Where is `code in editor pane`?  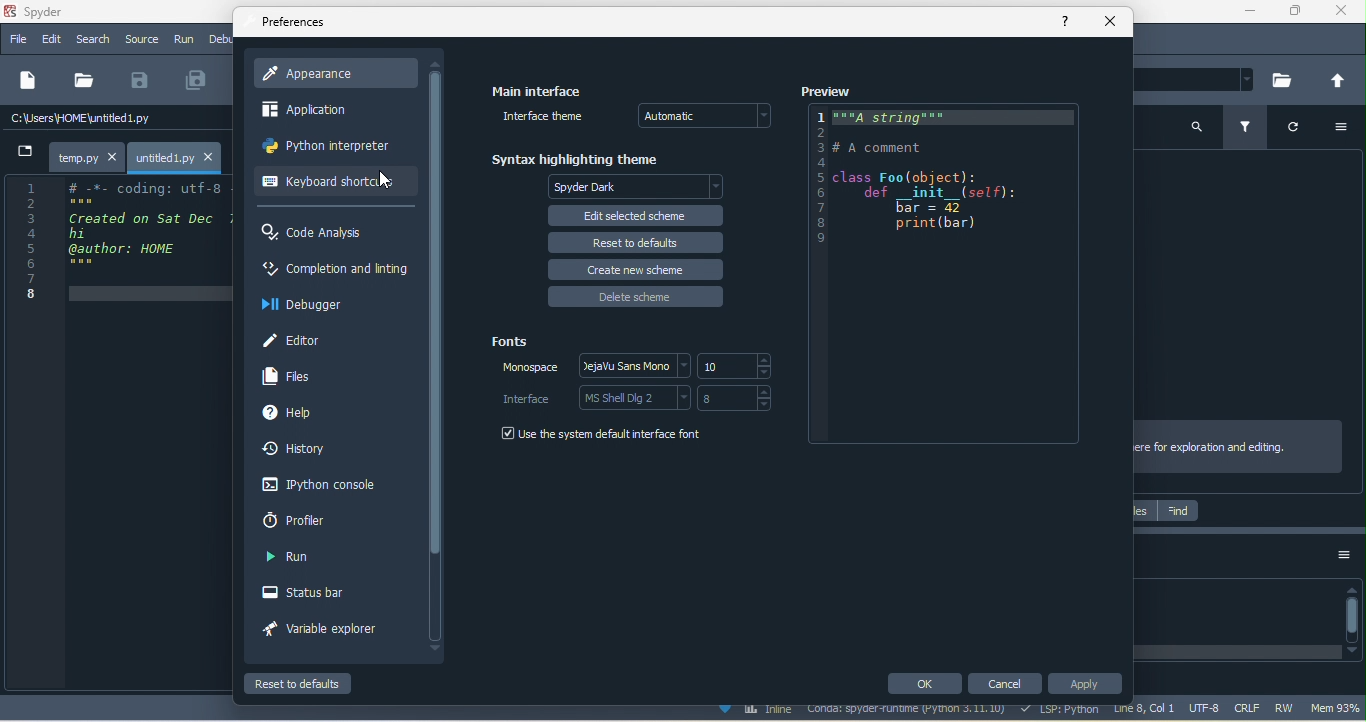 code in editor pane is located at coordinates (120, 241).